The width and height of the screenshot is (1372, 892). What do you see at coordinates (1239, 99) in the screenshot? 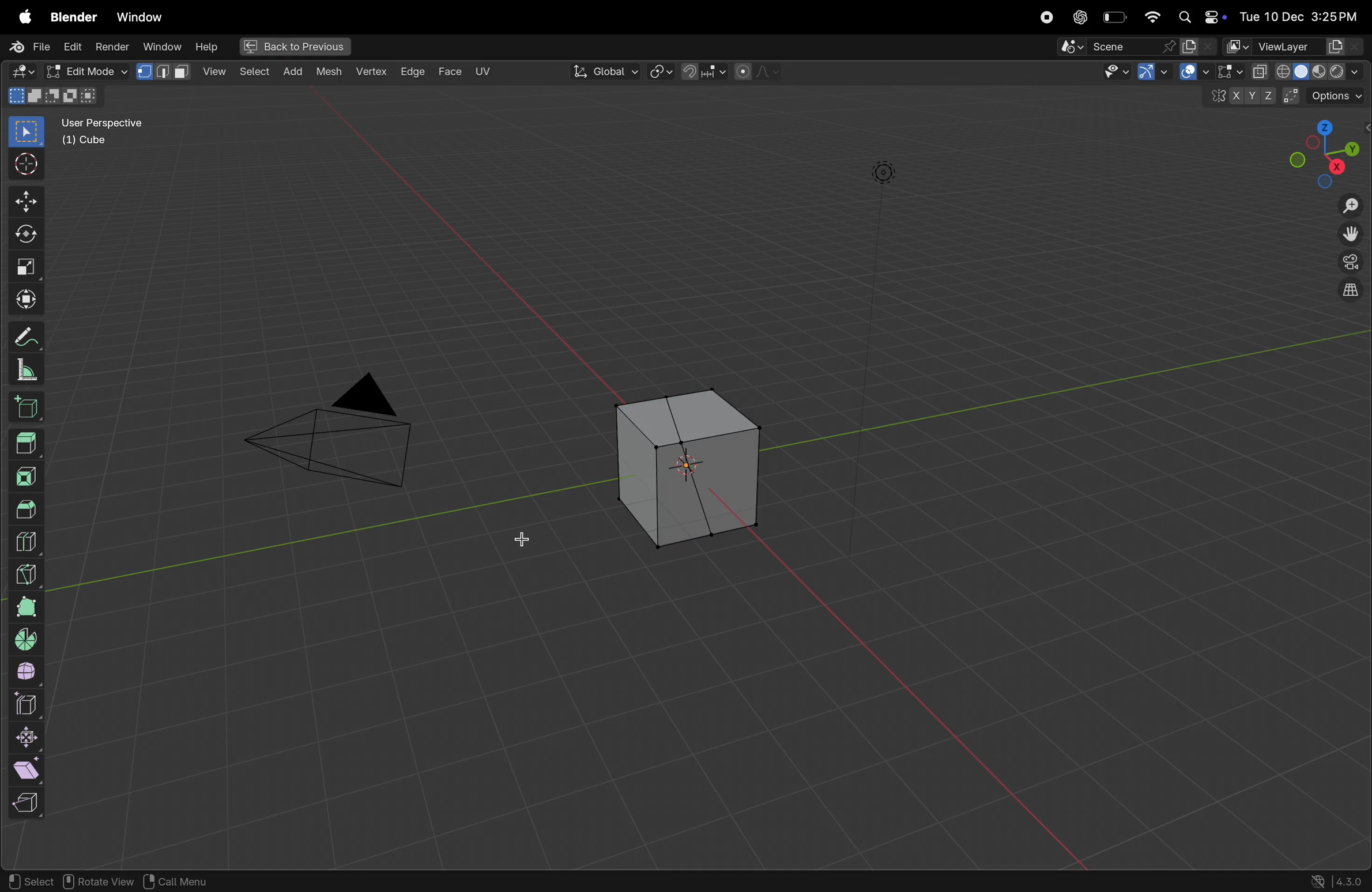
I see `x y z` at bounding box center [1239, 99].